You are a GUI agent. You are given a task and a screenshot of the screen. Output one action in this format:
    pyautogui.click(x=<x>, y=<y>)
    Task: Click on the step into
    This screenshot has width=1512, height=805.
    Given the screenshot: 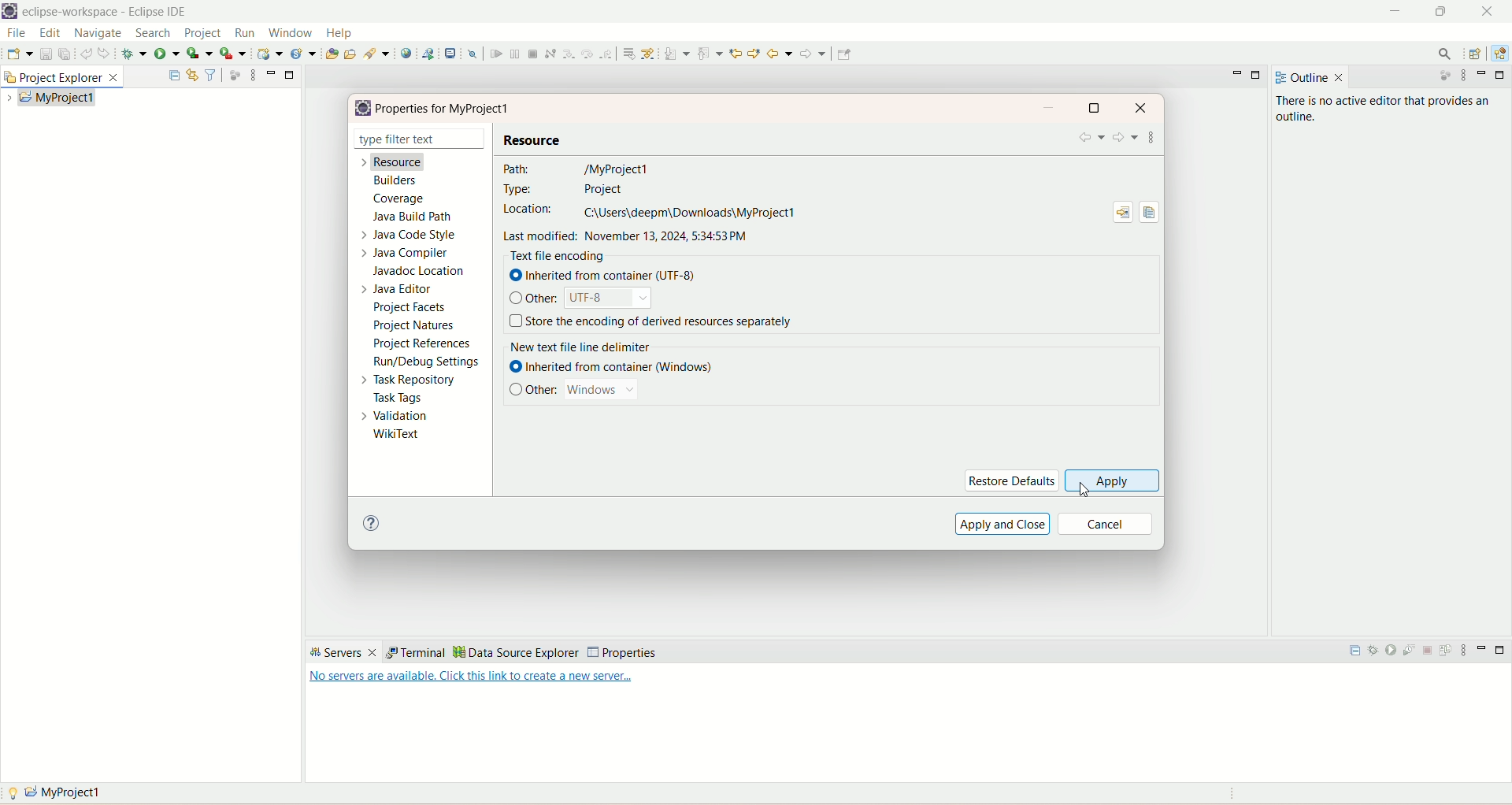 What is the action you would take?
    pyautogui.click(x=569, y=55)
    